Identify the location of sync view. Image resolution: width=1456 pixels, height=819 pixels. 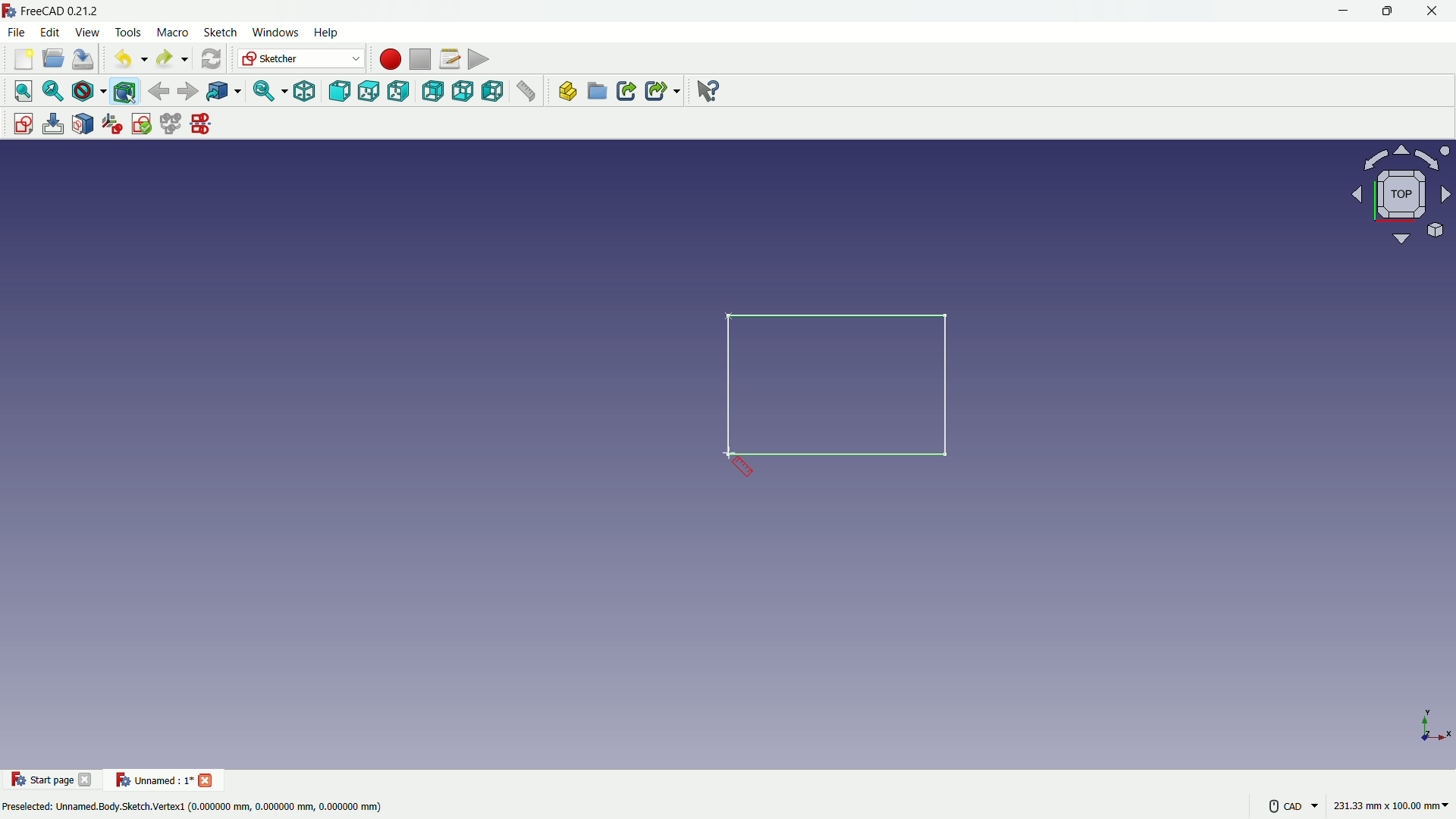
(265, 92).